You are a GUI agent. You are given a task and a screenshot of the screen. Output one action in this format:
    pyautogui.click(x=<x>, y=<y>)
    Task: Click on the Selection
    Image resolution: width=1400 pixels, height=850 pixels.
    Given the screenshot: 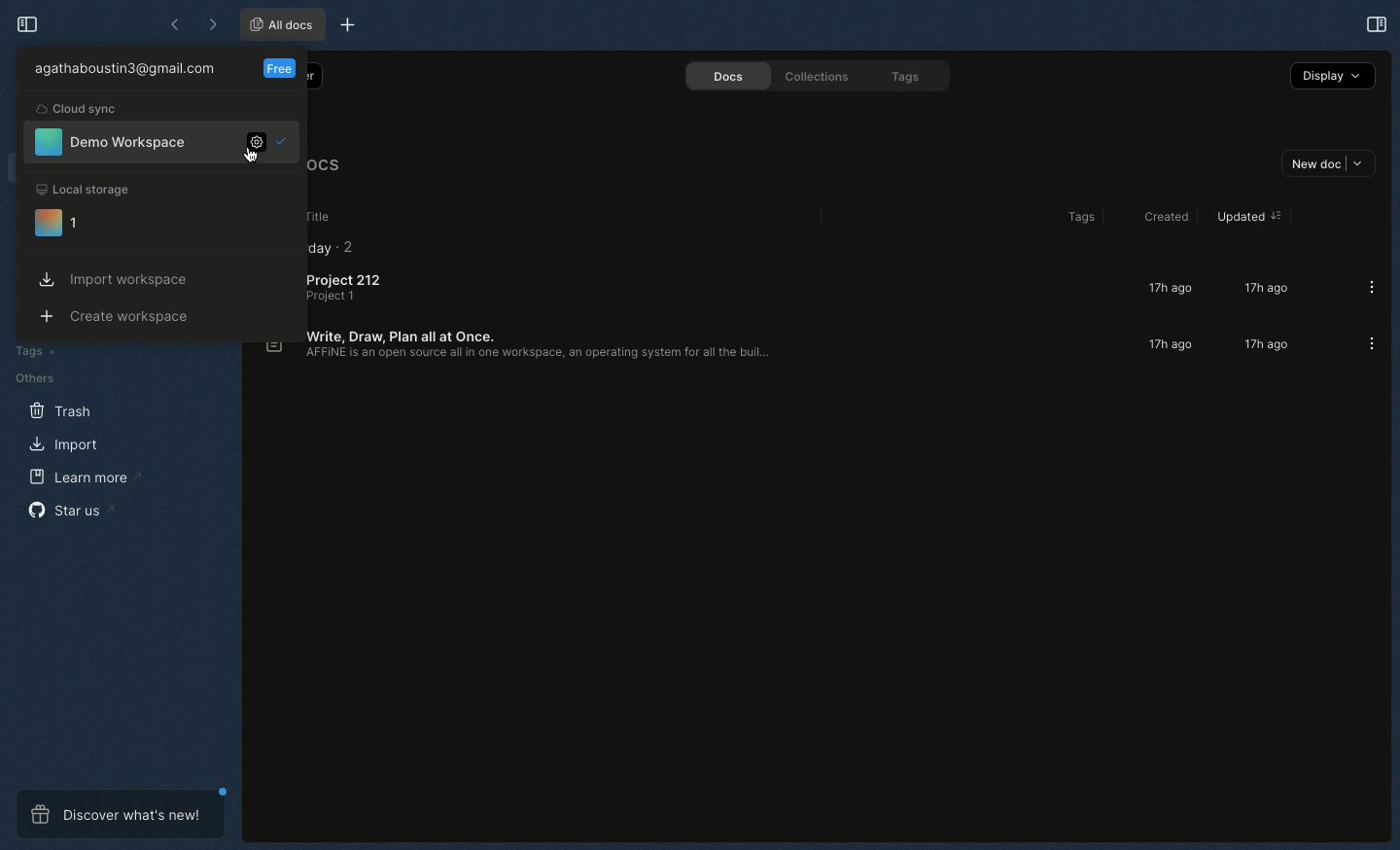 What is the action you would take?
    pyautogui.click(x=288, y=141)
    